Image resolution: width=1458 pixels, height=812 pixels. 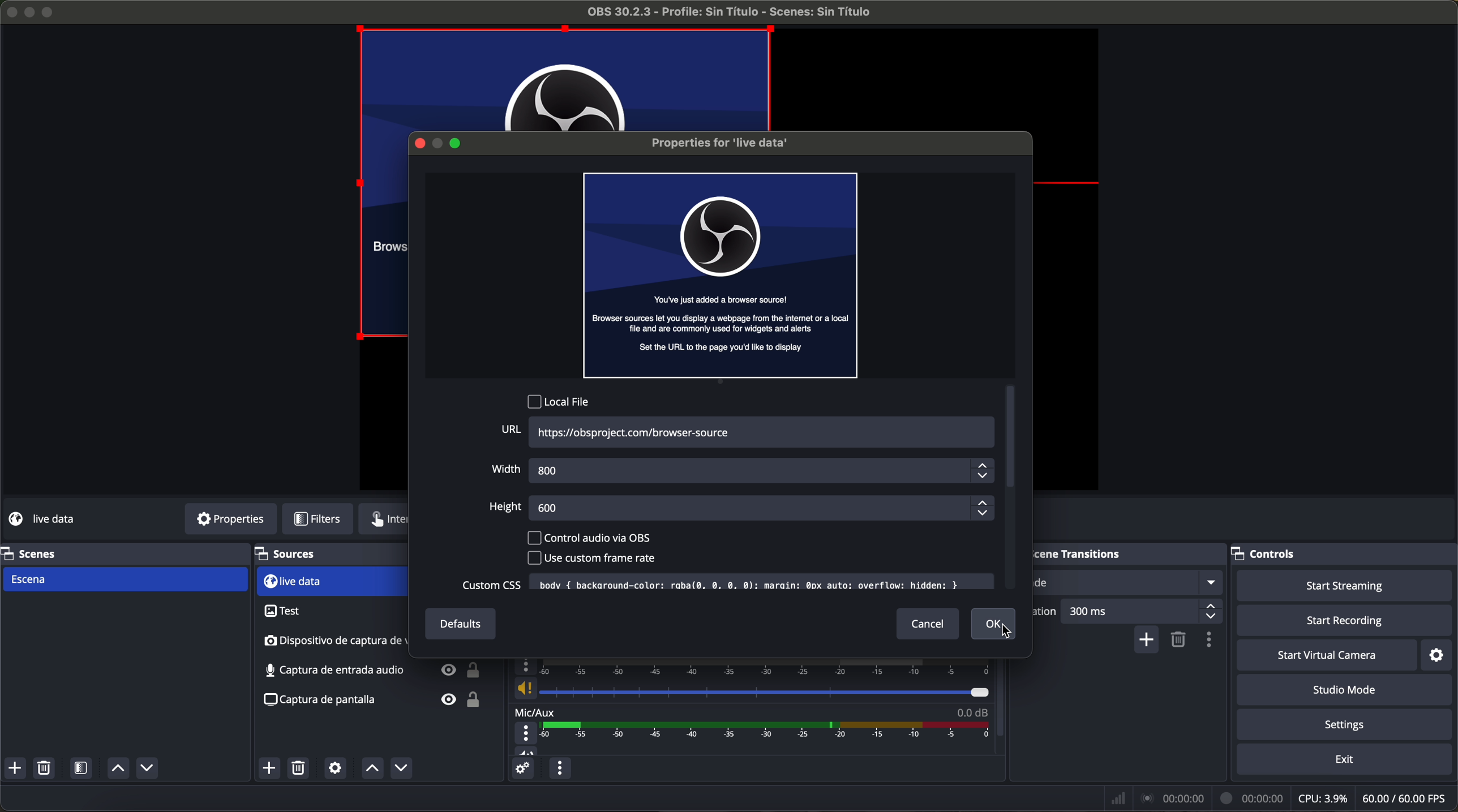 What do you see at coordinates (521, 767) in the screenshot?
I see `advanced audio properties` at bounding box center [521, 767].